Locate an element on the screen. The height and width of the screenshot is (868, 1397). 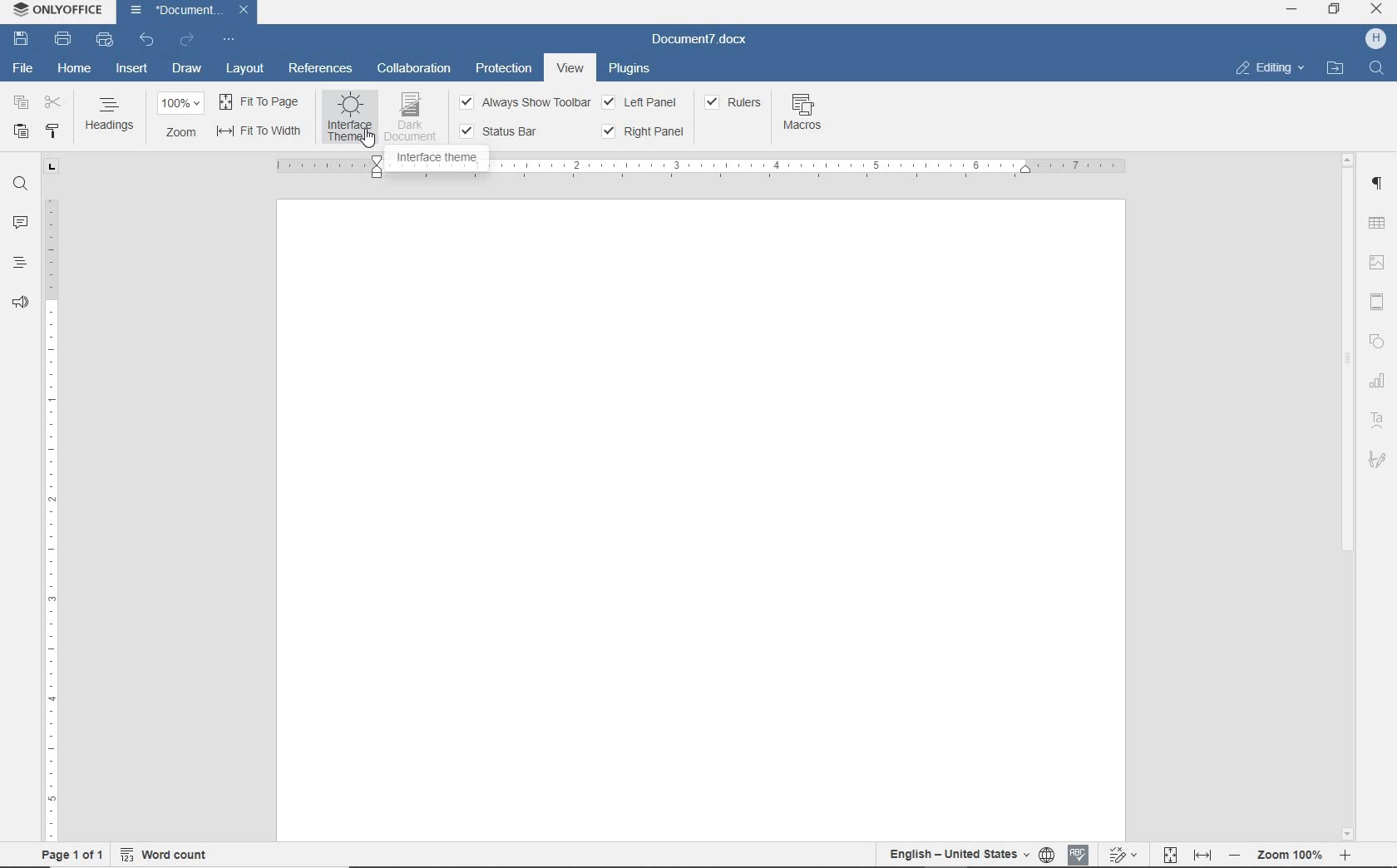
LEFT PANEL is located at coordinates (641, 101).